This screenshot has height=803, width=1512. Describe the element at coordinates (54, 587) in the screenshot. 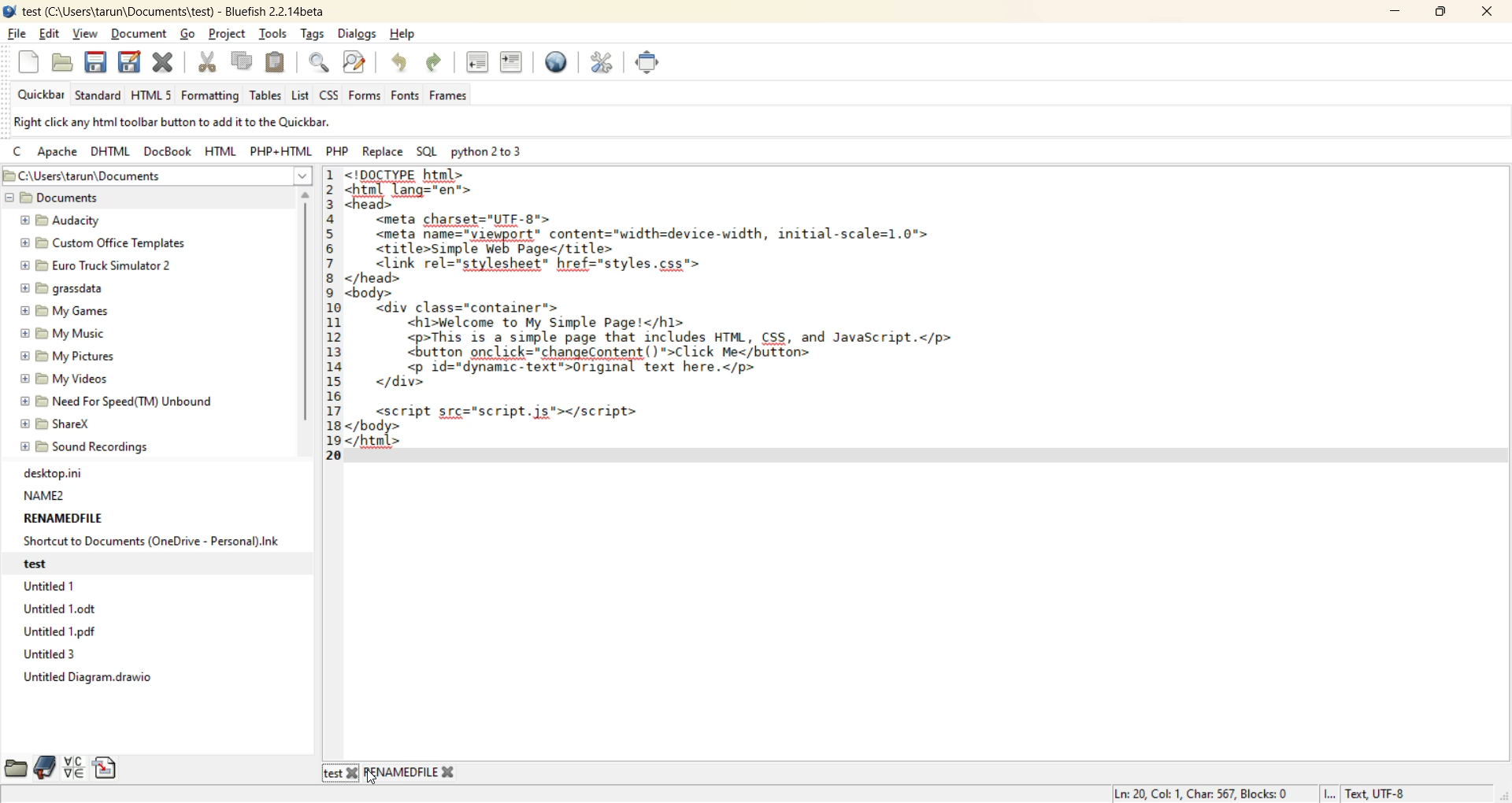

I see `Untitled 1` at that location.